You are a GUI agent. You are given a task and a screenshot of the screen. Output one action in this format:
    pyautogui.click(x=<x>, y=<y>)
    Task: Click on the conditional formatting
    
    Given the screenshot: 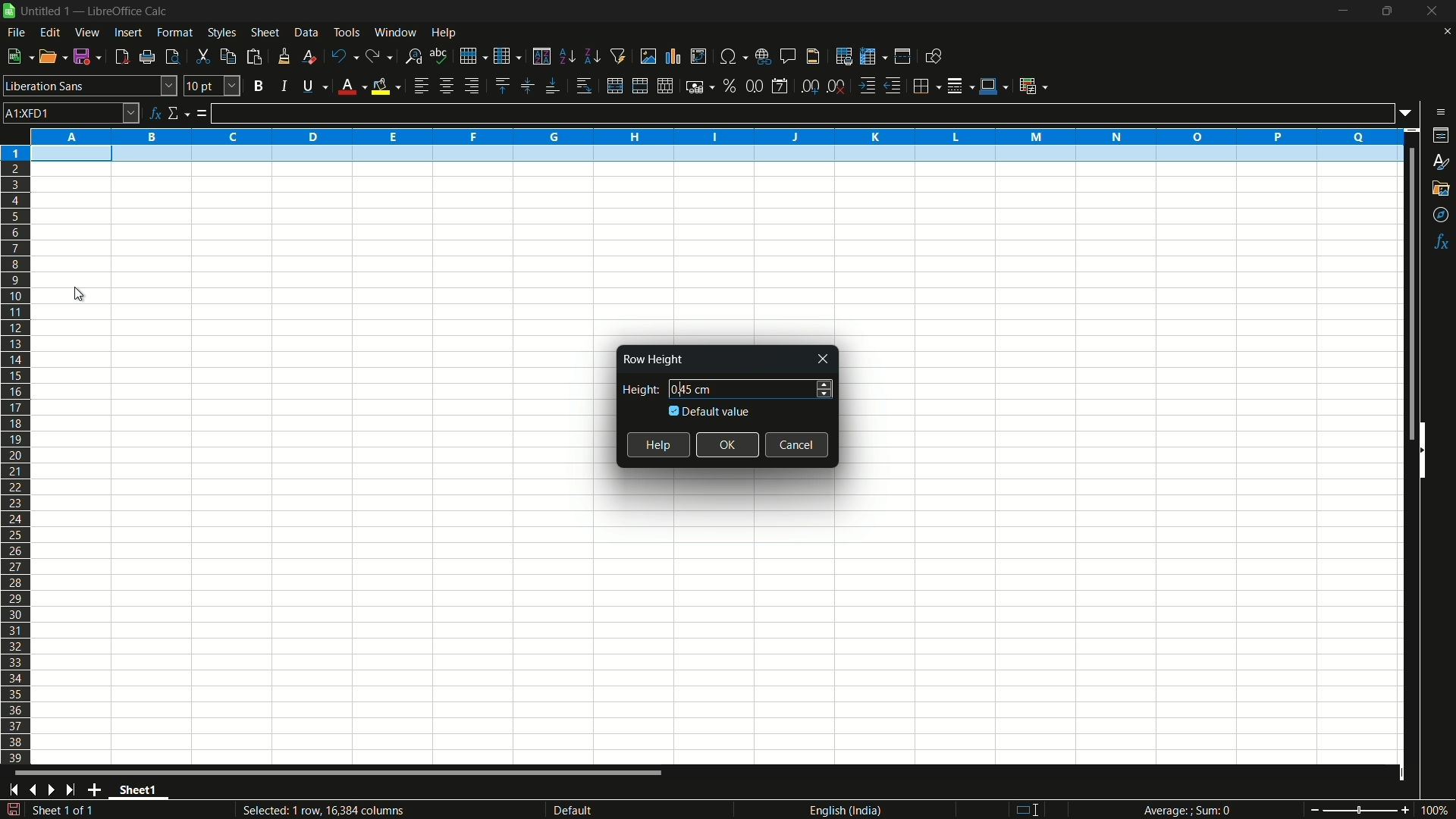 What is the action you would take?
    pyautogui.click(x=1032, y=86)
    